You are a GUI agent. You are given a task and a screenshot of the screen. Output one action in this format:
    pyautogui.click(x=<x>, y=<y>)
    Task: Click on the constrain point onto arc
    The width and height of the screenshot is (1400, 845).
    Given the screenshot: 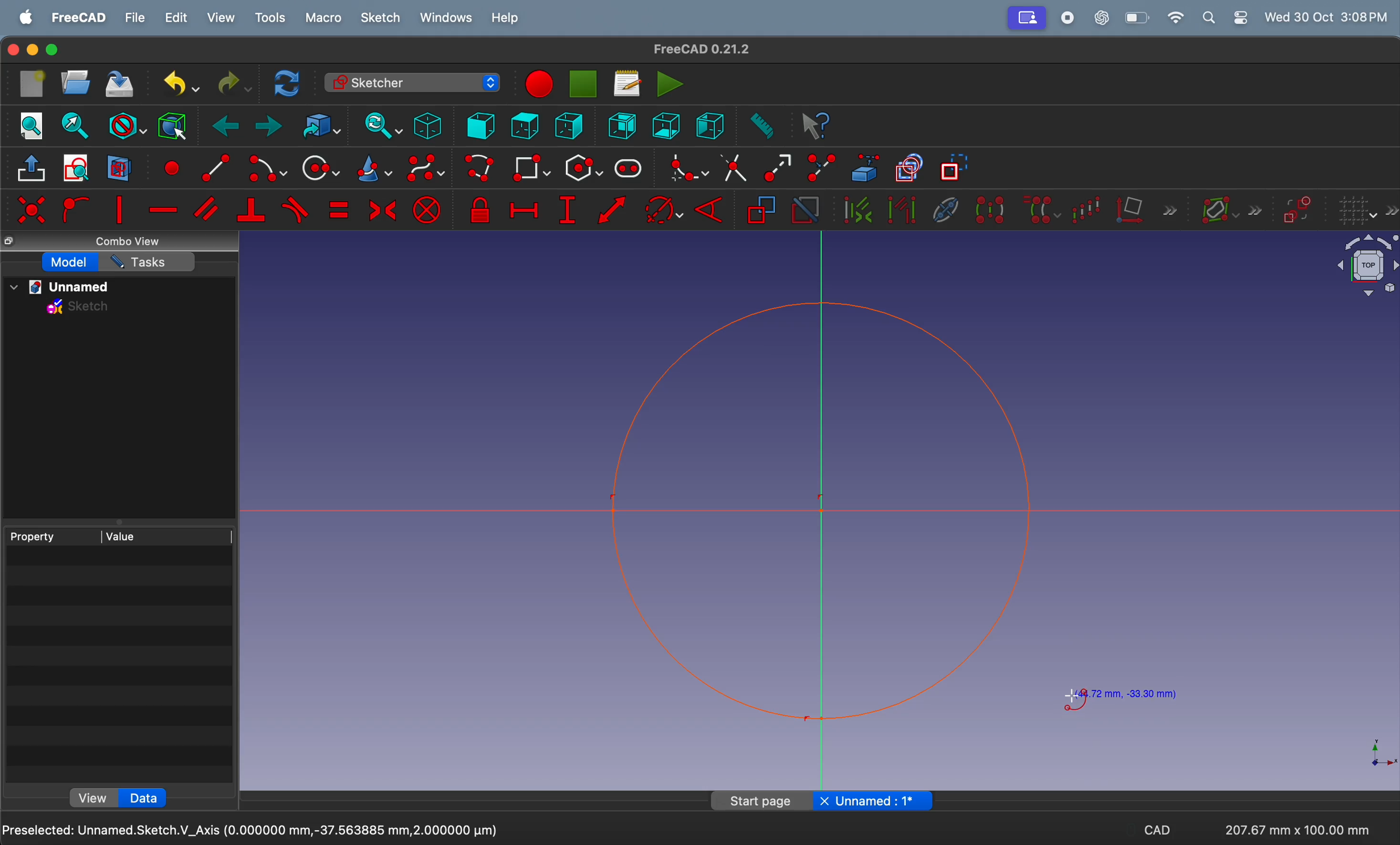 What is the action you would take?
    pyautogui.click(x=74, y=210)
    